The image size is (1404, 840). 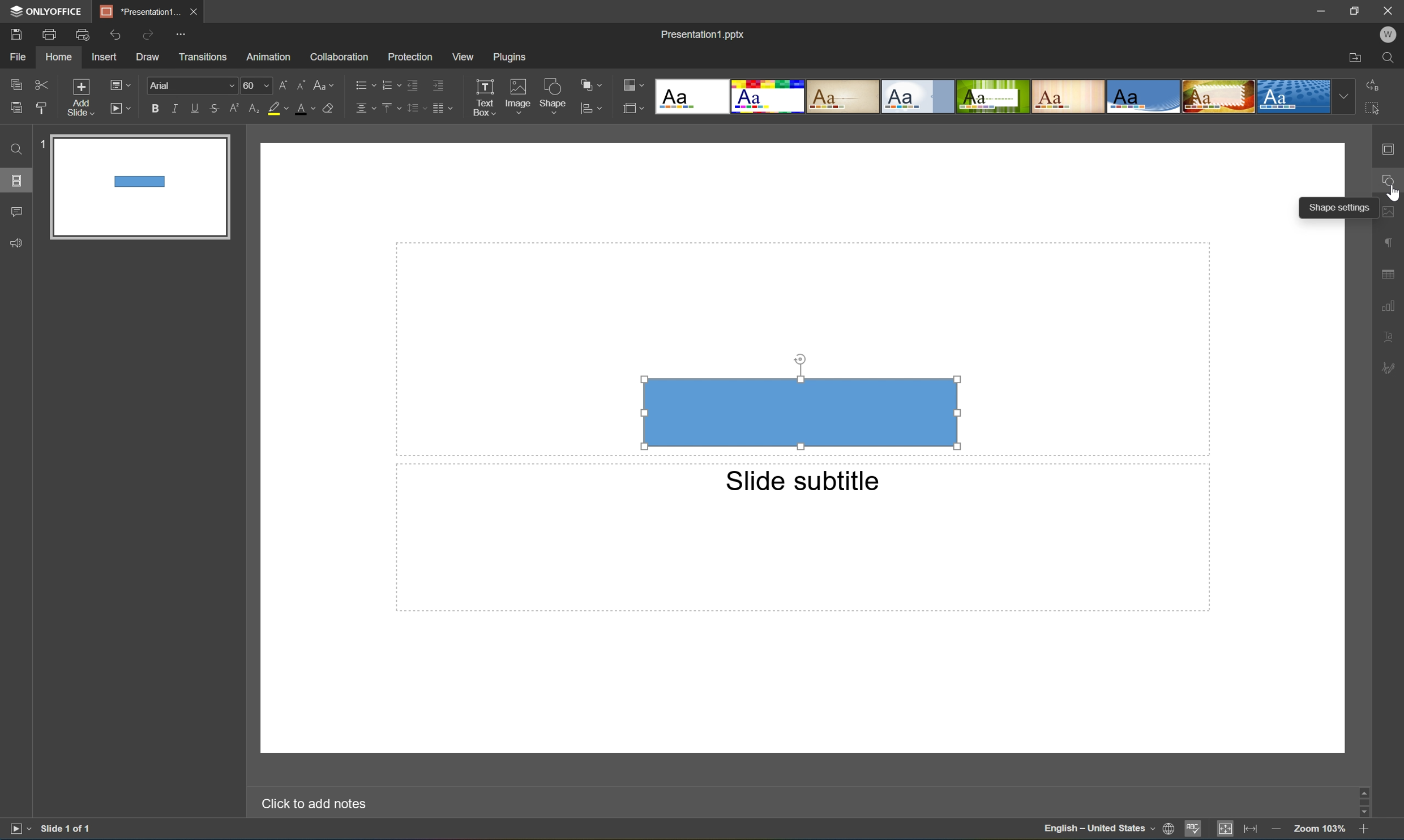 What do you see at coordinates (194, 11) in the screenshot?
I see `Close` at bounding box center [194, 11].